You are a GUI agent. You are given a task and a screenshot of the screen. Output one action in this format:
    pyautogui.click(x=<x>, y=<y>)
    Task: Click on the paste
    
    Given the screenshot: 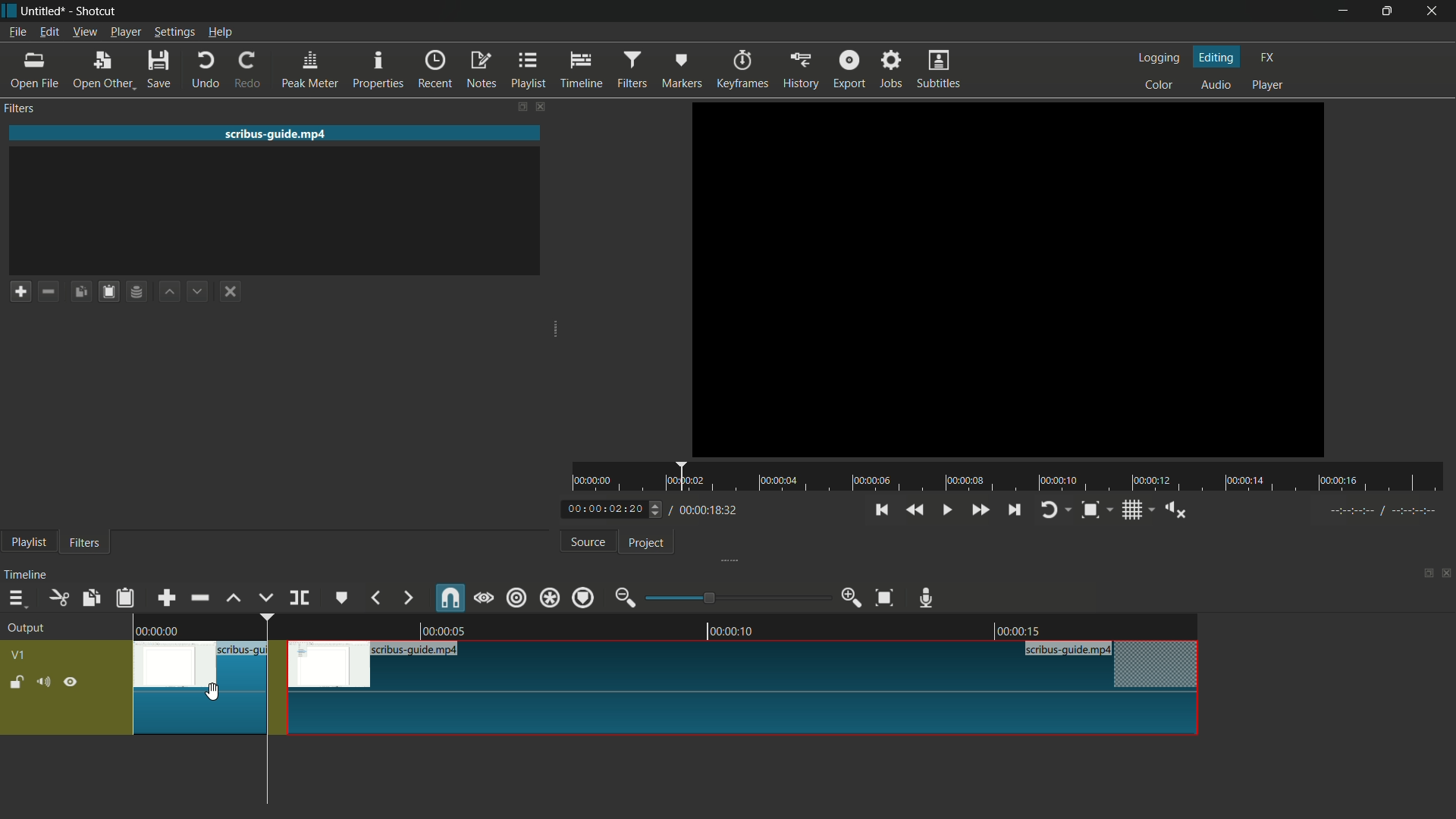 What is the action you would take?
    pyautogui.click(x=124, y=600)
    